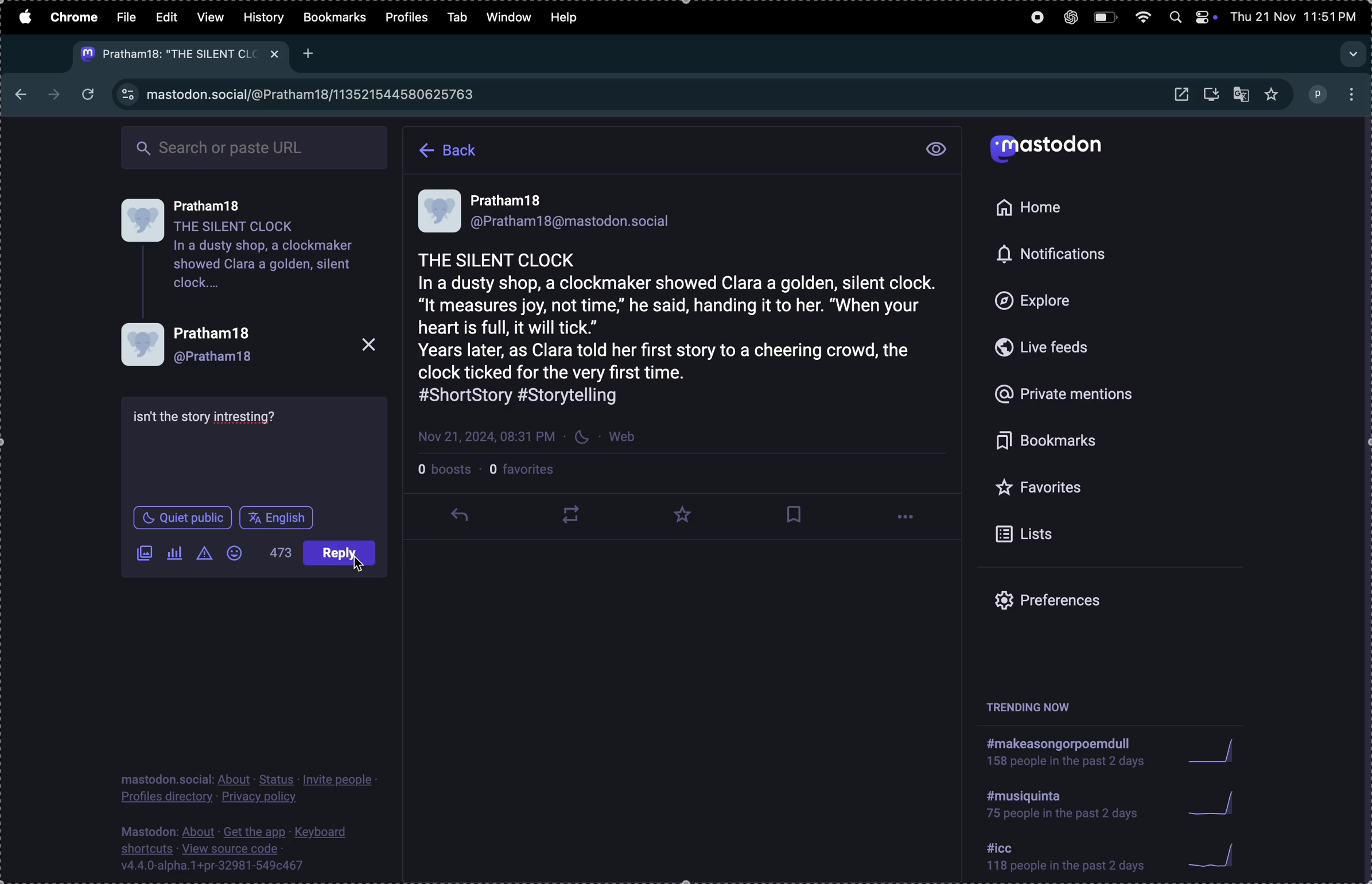 The height and width of the screenshot is (884, 1372). What do you see at coordinates (75, 18) in the screenshot?
I see `chrome` at bounding box center [75, 18].